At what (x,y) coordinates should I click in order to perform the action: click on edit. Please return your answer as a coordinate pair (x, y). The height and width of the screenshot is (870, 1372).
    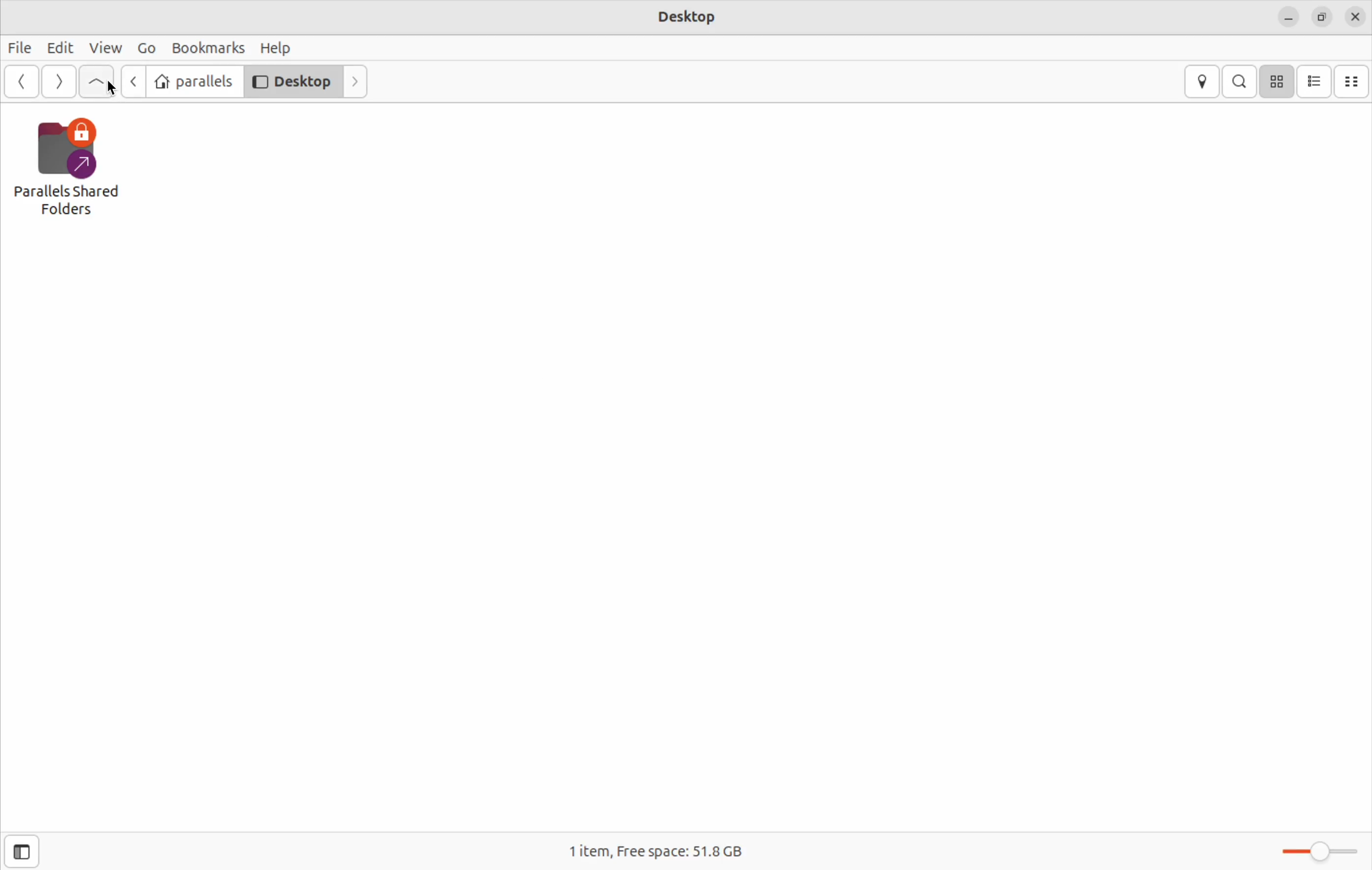
    Looking at the image, I should click on (59, 47).